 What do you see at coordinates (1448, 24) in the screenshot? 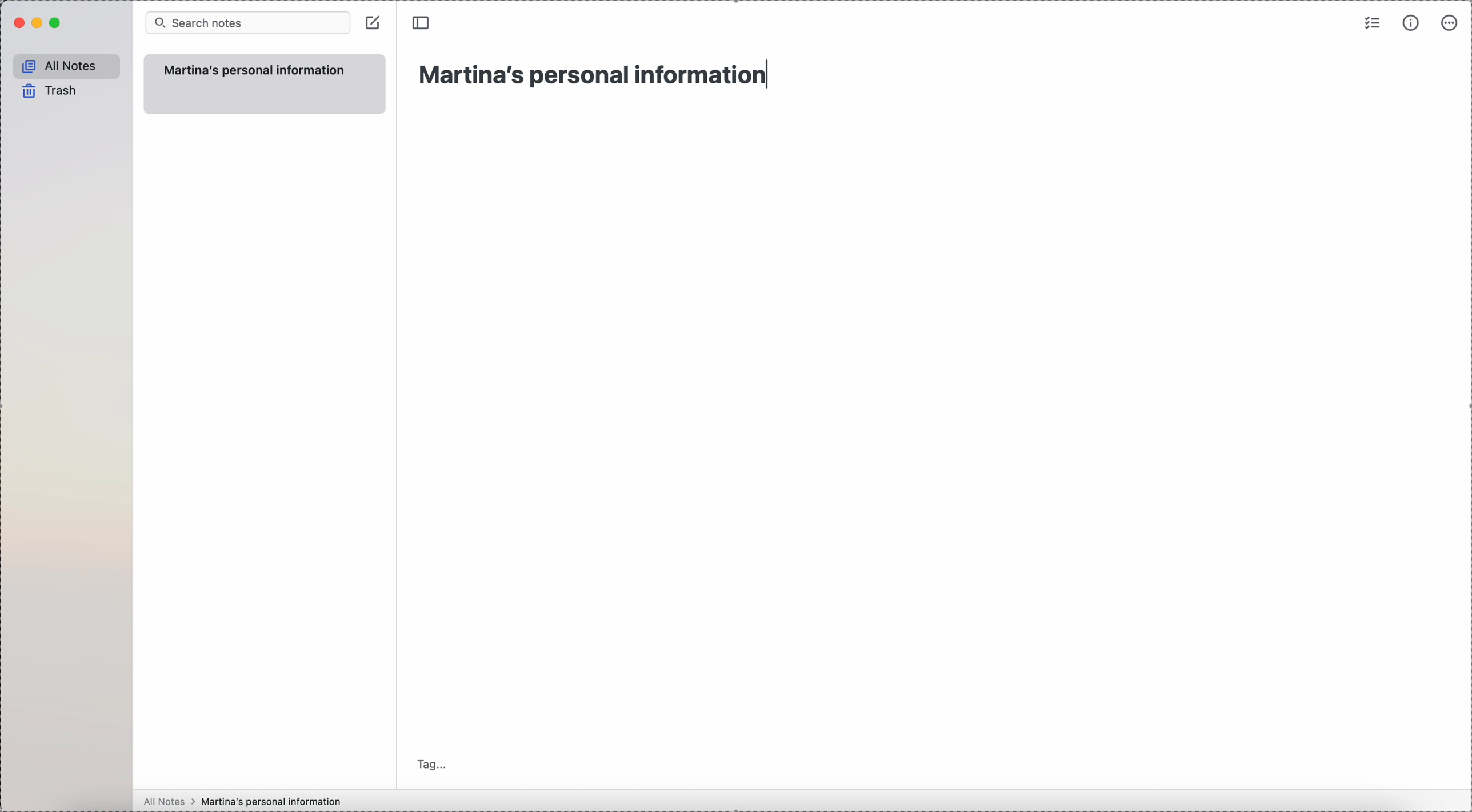
I see `more options` at bounding box center [1448, 24].